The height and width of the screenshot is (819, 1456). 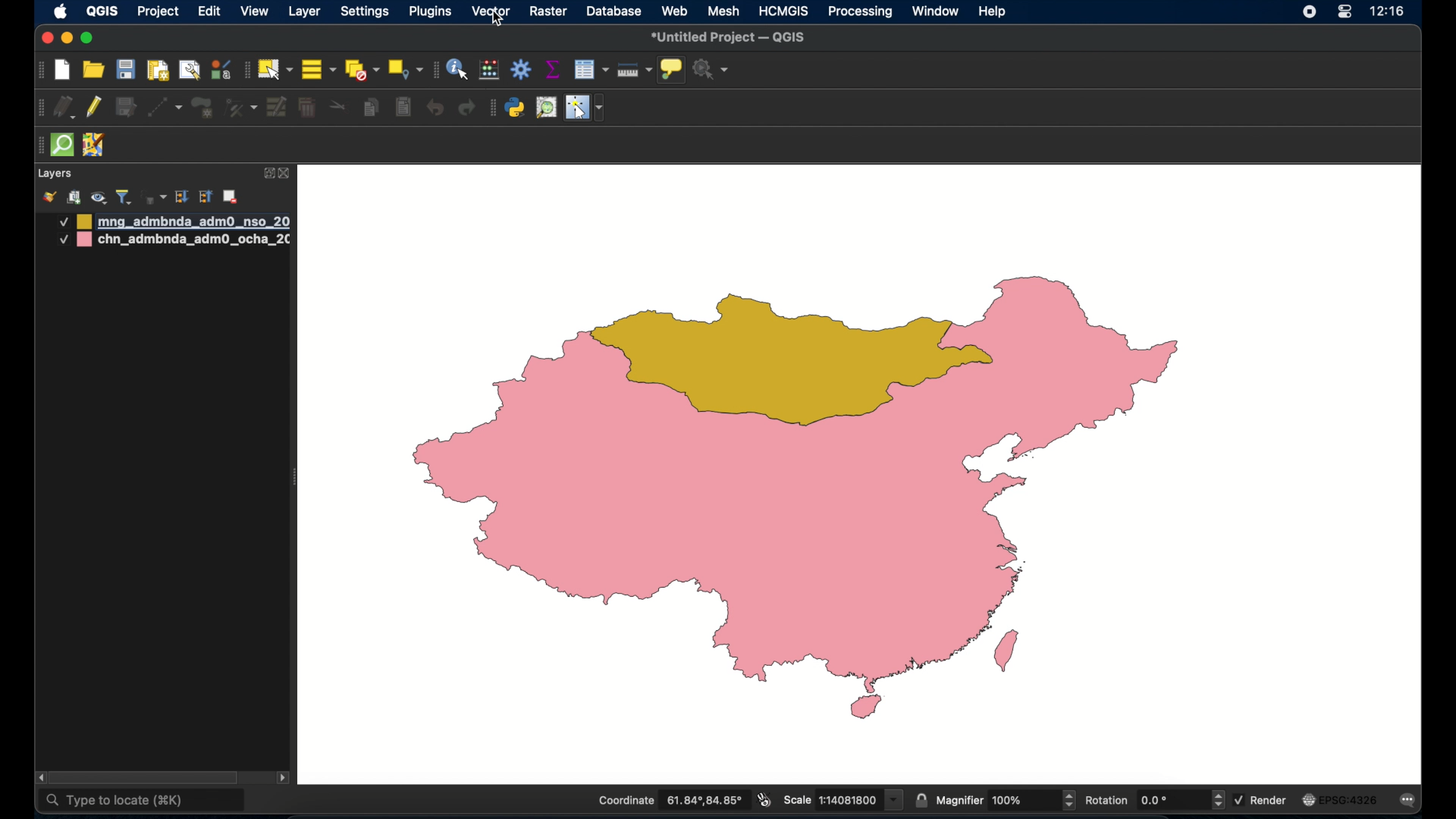 I want to click on create new project, so click(x=63, y=71).